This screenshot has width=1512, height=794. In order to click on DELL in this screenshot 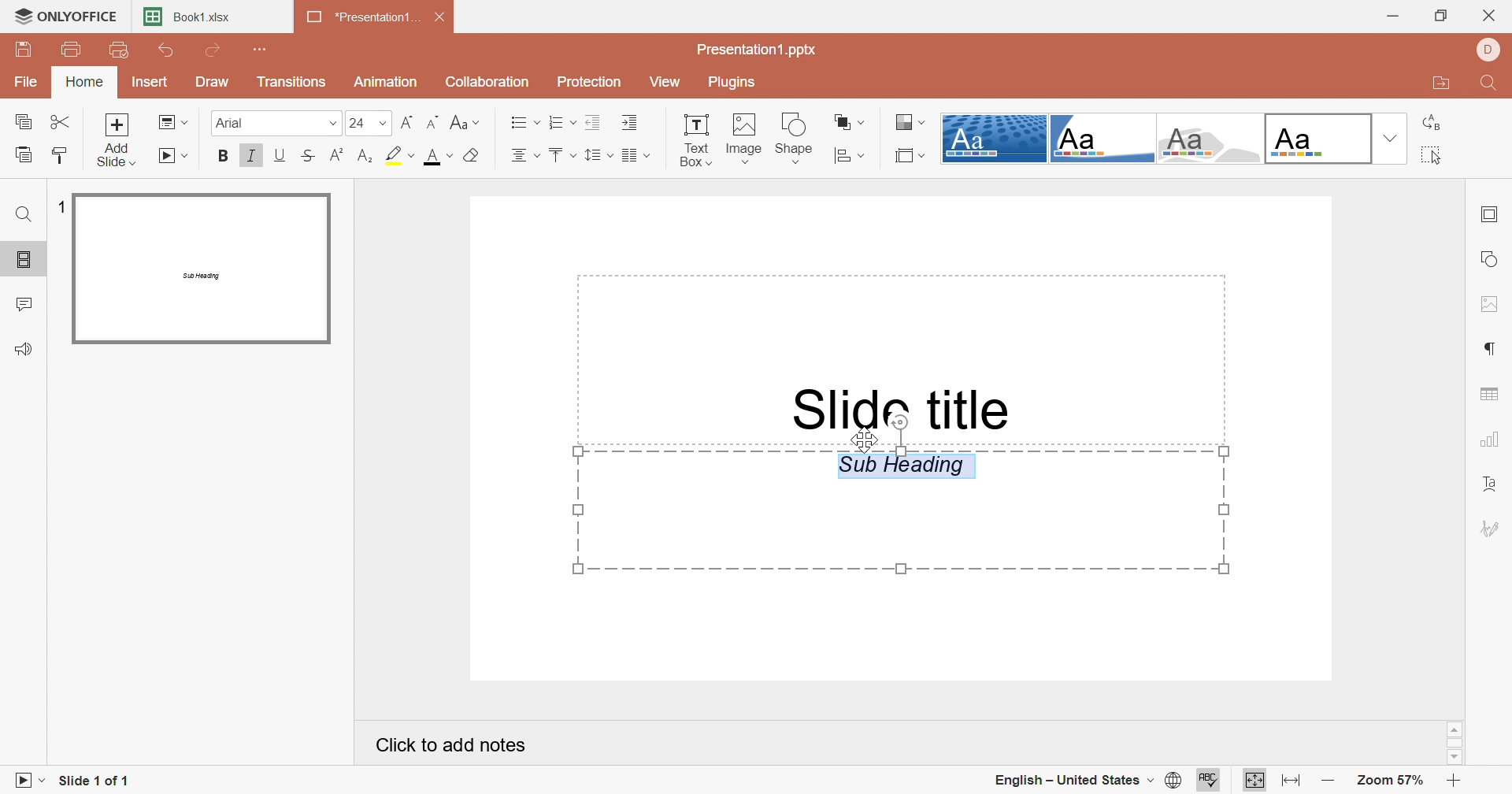, I will do `click(1491, 49)`.